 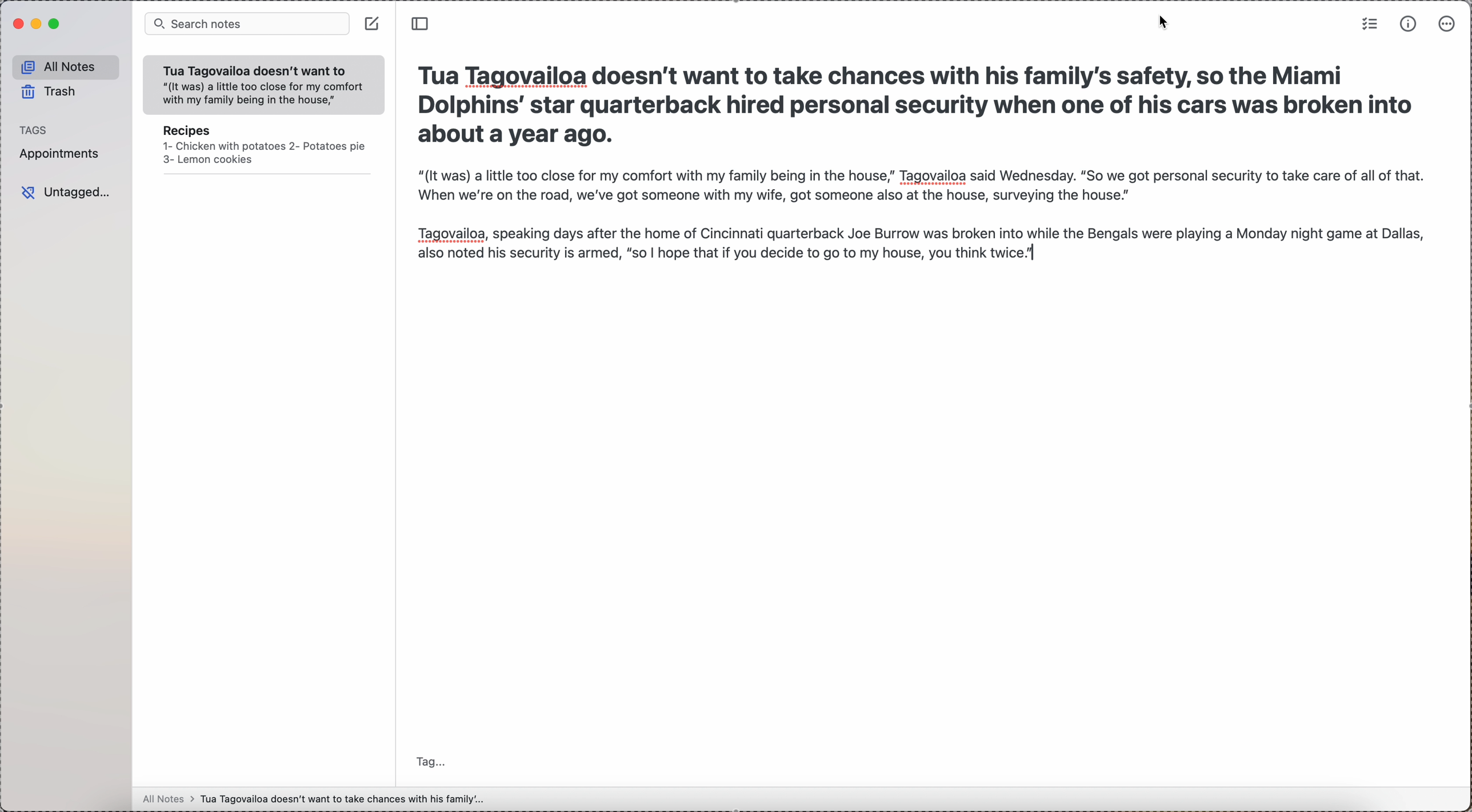 What do you see at coordinates (371, 26) in the screenshot?
I see `create note` at bounding box center [371, 26].